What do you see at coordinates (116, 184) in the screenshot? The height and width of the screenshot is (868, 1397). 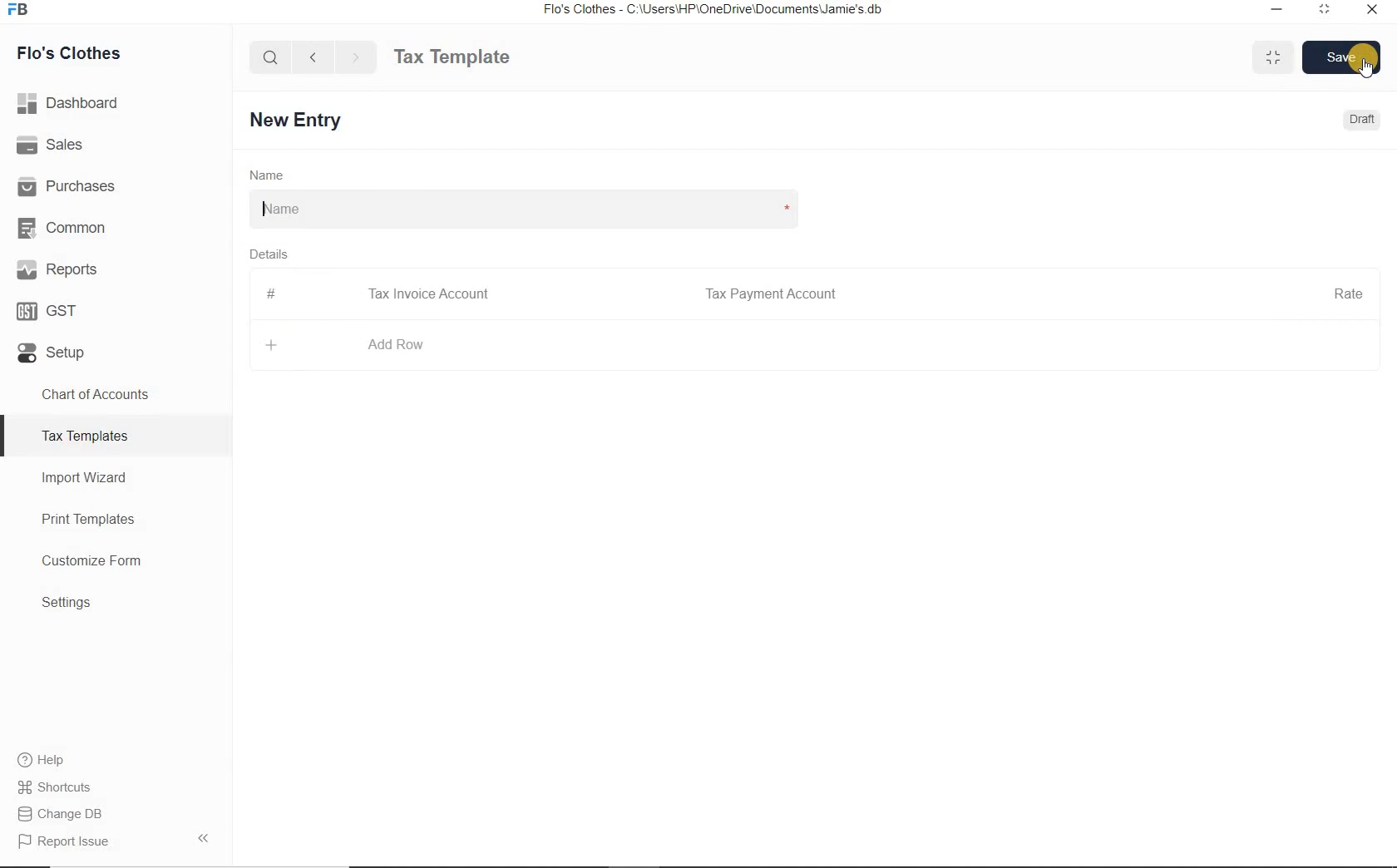 I see `Purchases` at bounding box center [116, 184].